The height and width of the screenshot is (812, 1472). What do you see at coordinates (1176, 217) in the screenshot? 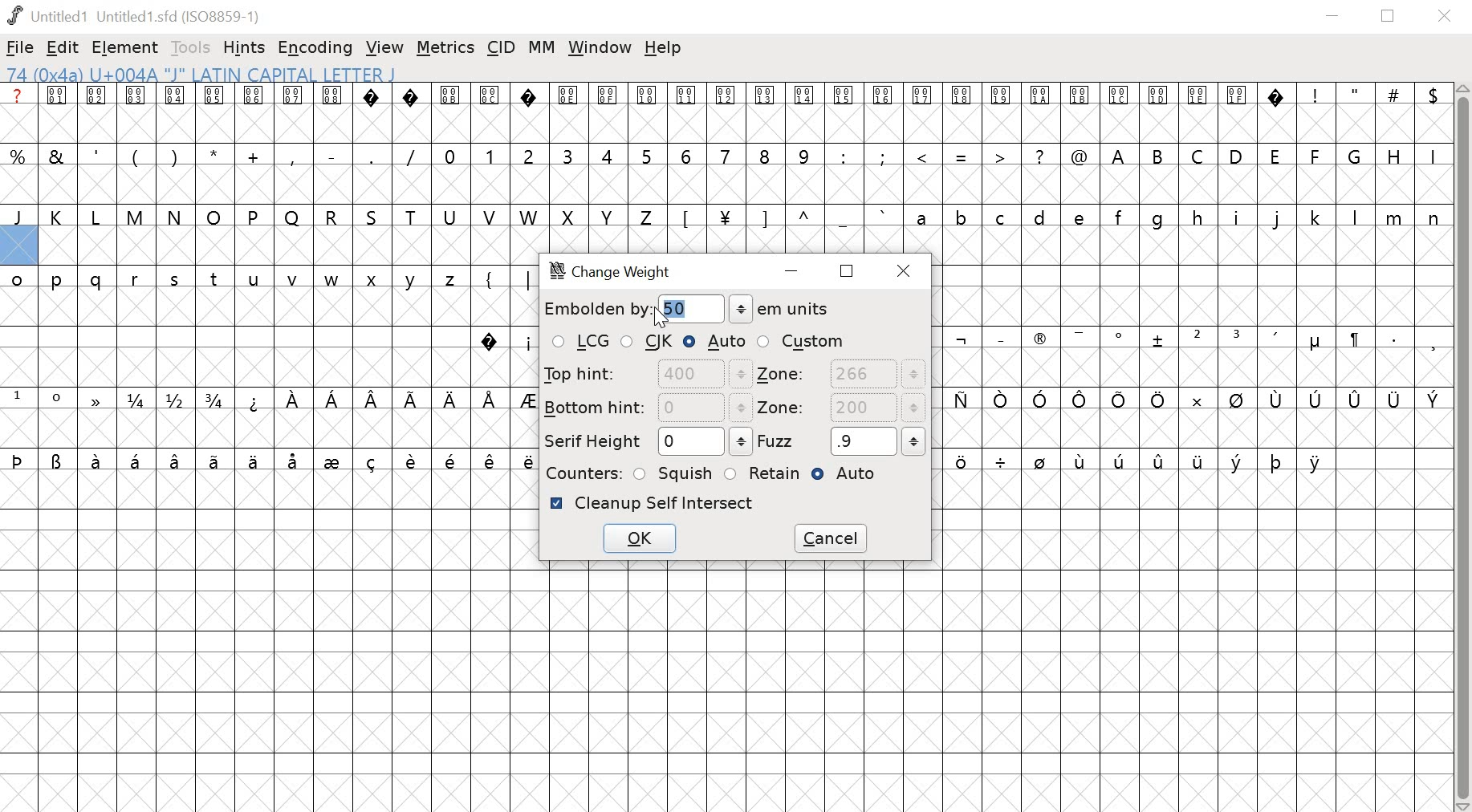
I see `lower case letter` at bounding box center [1176, 217].